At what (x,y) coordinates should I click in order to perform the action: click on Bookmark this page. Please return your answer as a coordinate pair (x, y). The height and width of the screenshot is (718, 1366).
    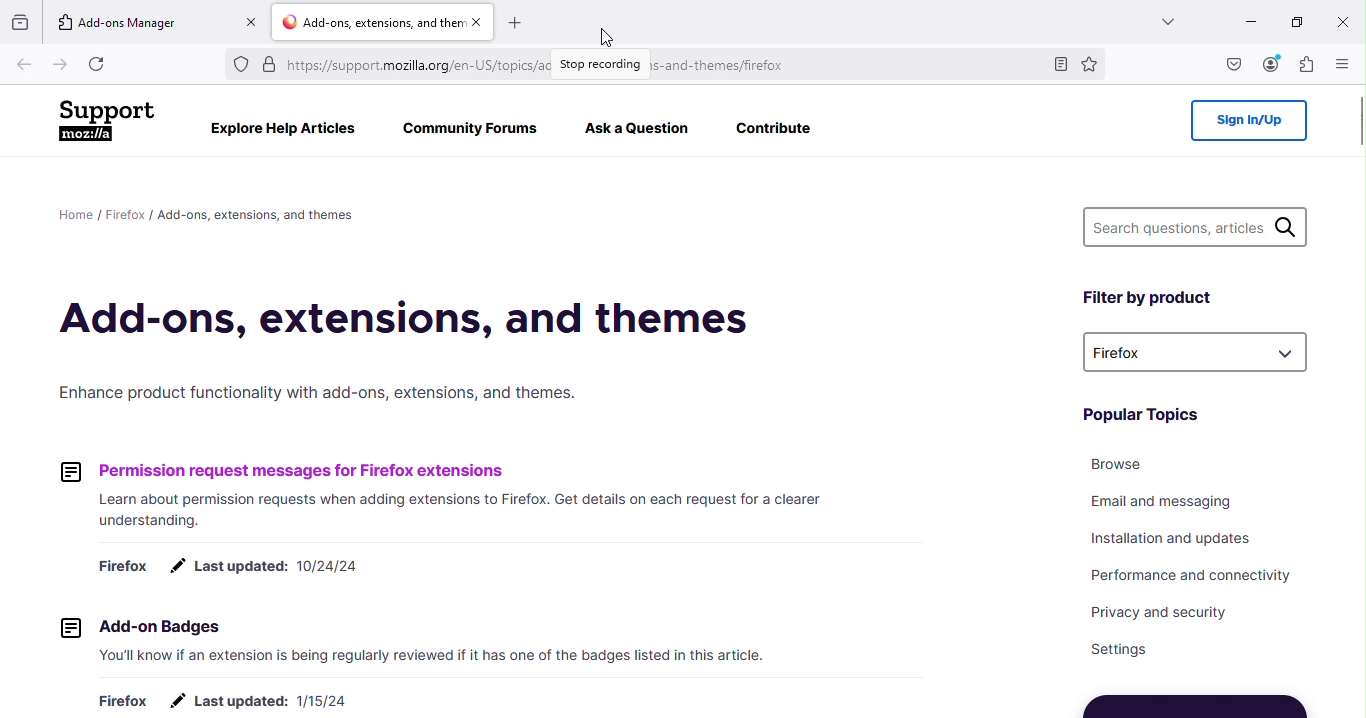
    Looking at the image, I should click on (1096, 65).